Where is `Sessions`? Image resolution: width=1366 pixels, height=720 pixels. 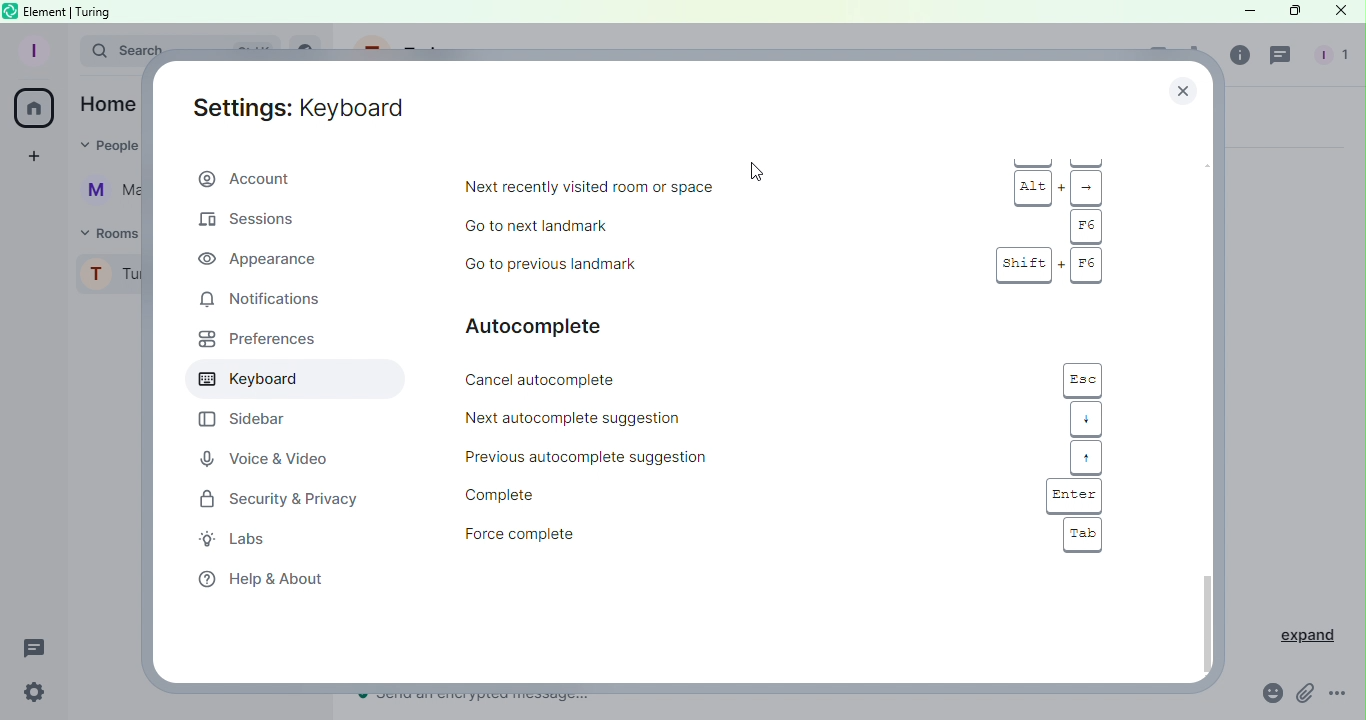 Sessions is located at coordinates (258, 223).